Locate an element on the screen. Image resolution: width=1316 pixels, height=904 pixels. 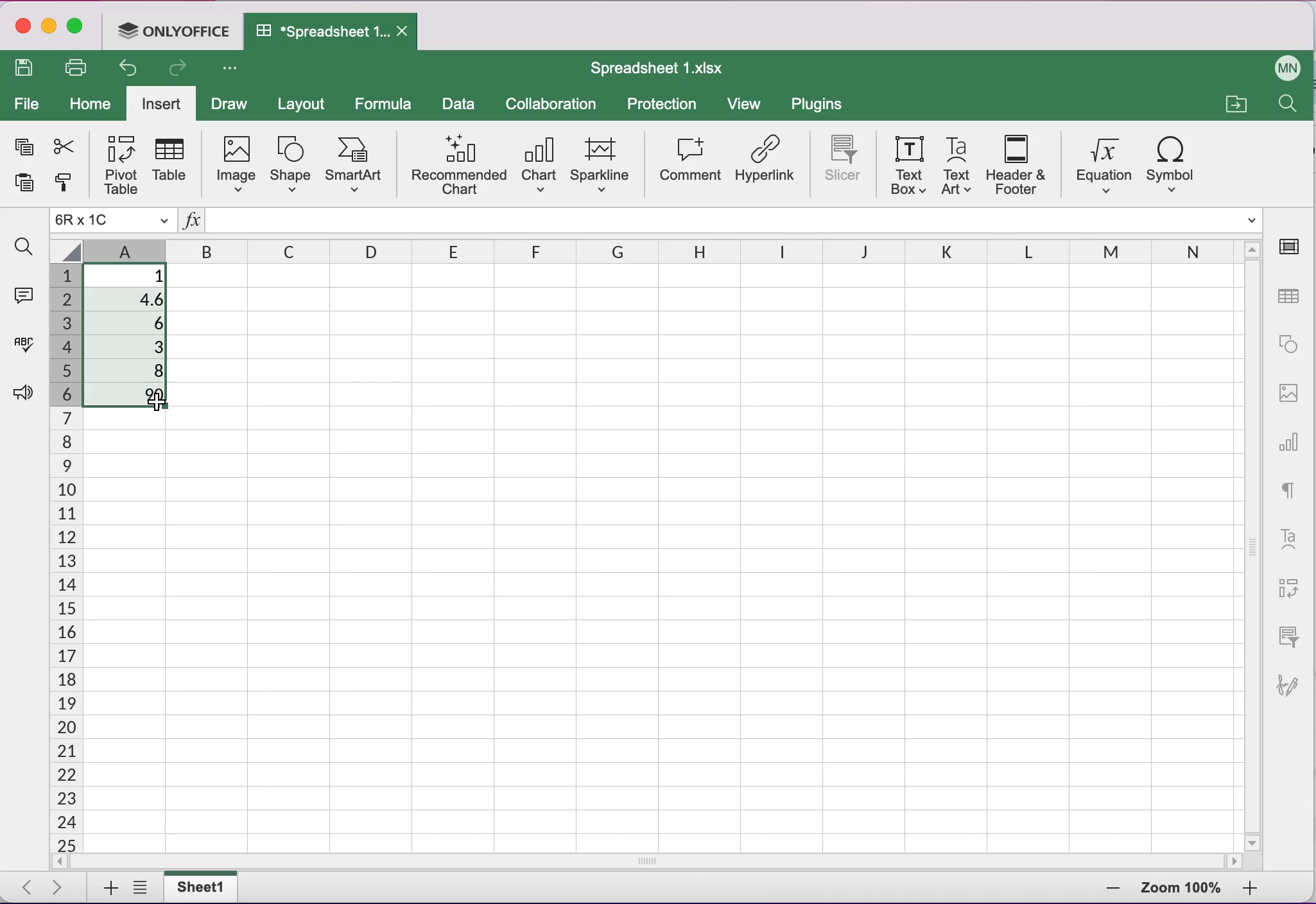
file is located at coordinates (30, 104).